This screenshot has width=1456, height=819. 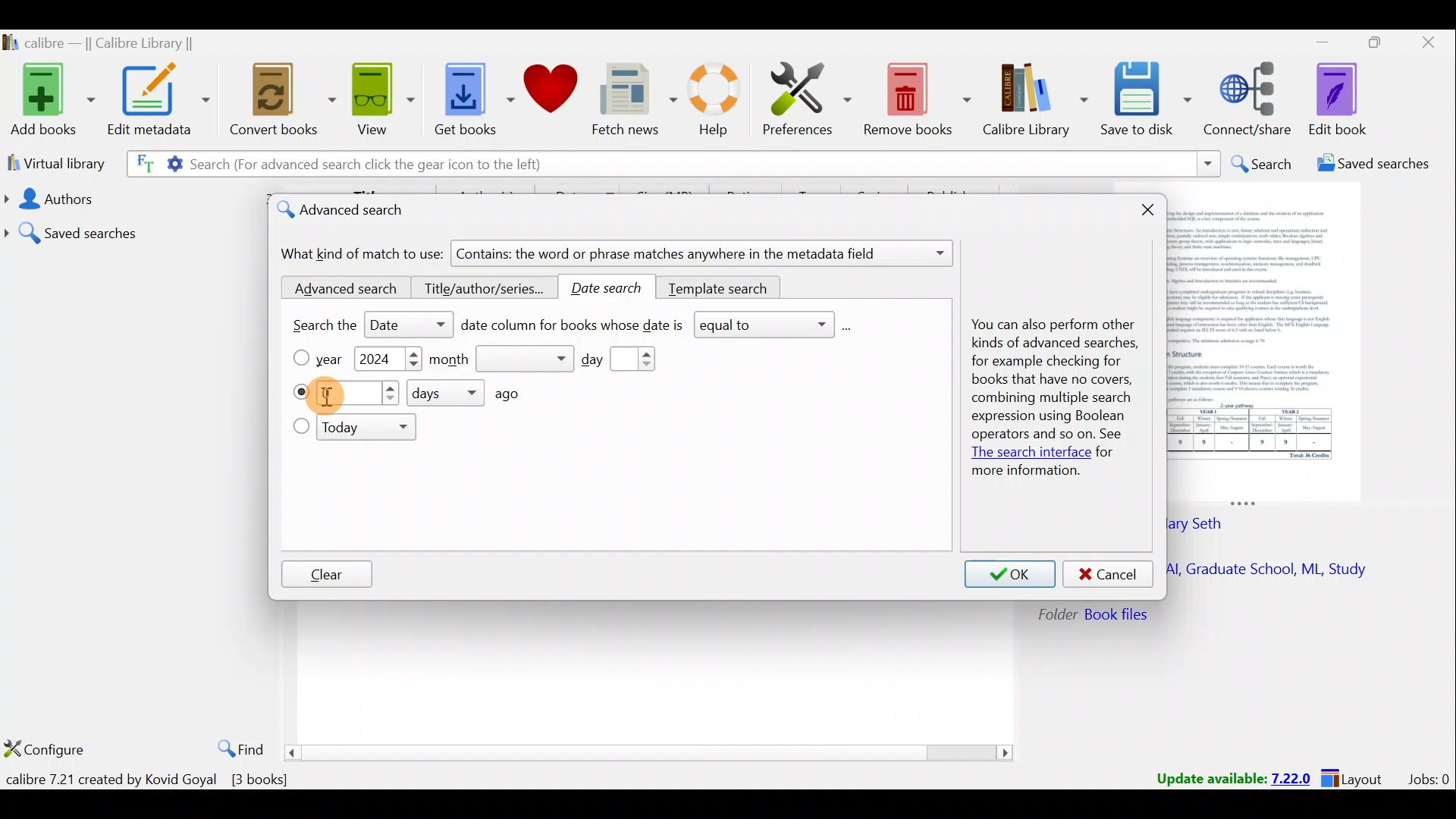 What do you see at coordinates (52, 162) in the screenshot?
I see `Virtual library` at bounding box center [52, 162].